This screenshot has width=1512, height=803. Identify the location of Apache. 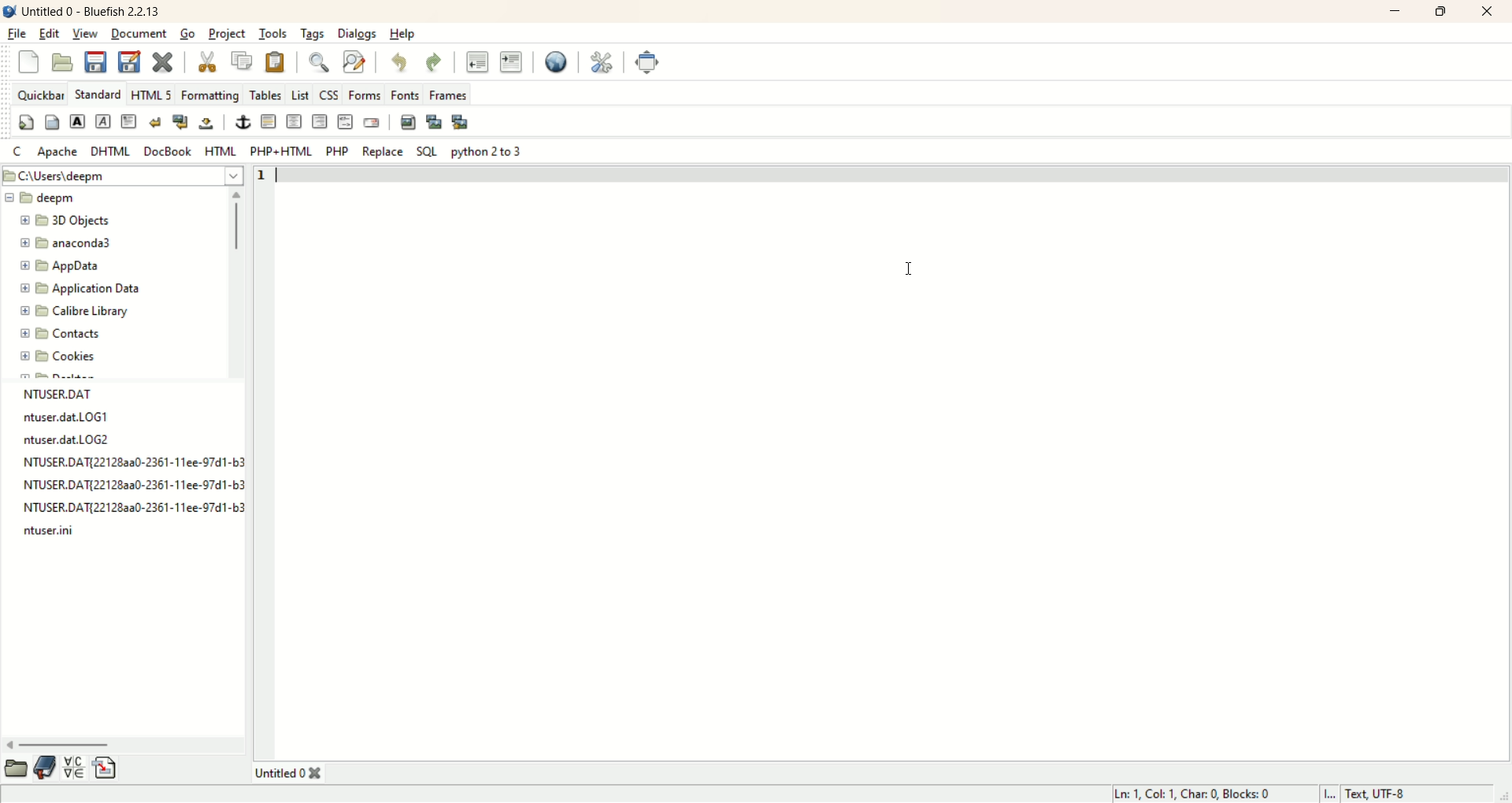
(57, 153).